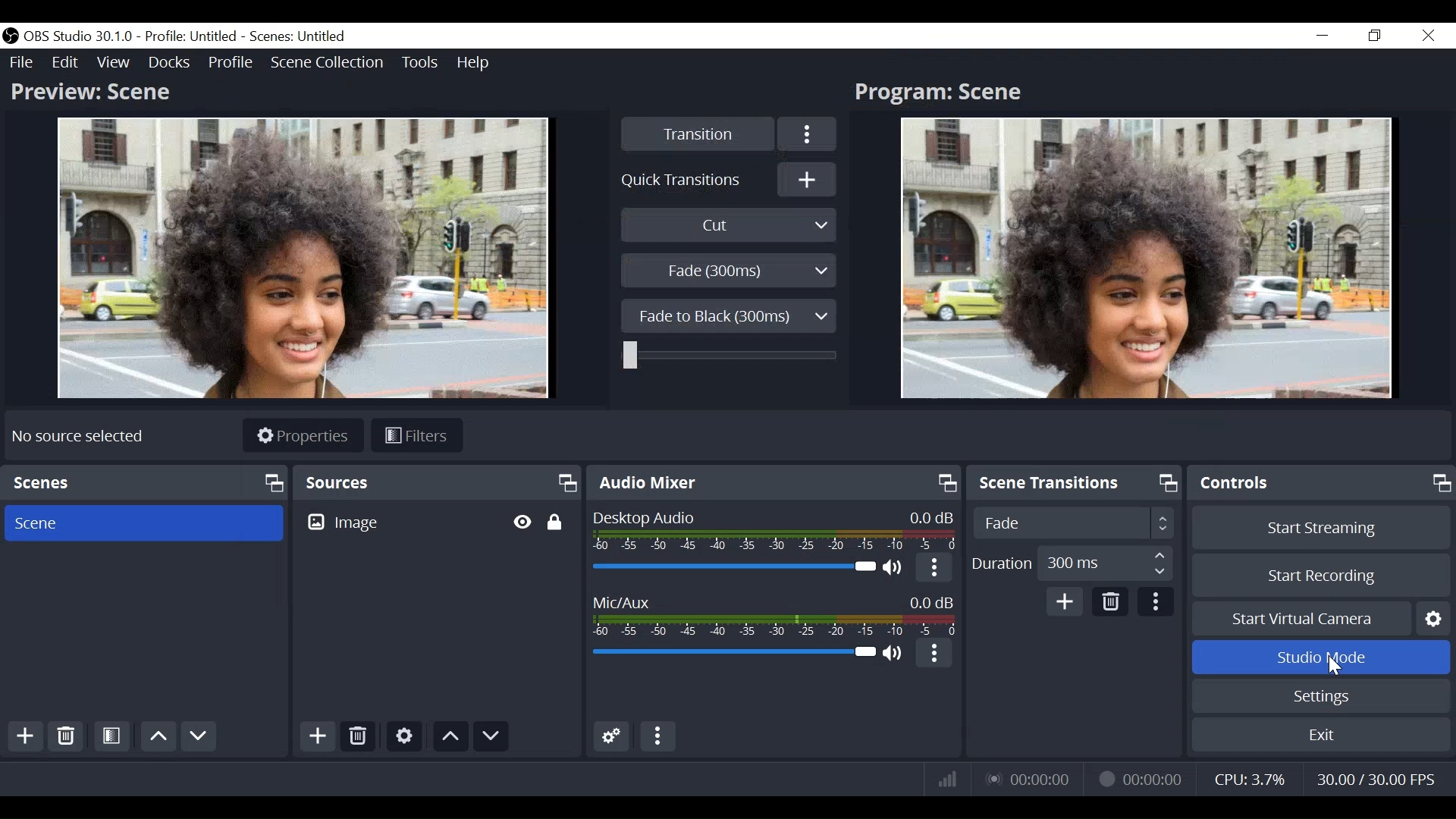 Image resolution: width=1456 pixels, height=819 pixels. What do you see at coordinates (438, 484) in the screenshot?
I see `Sources` at bounding box center [438, 484].